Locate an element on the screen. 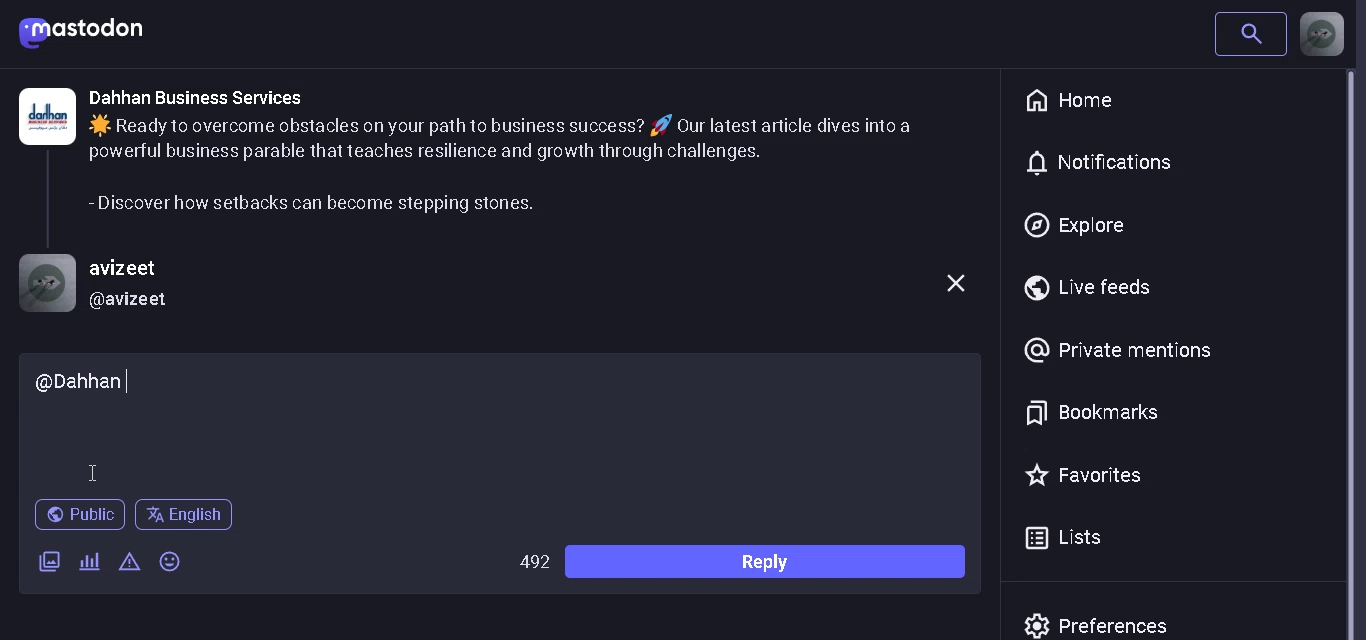 This screenshot has width=1366, height=640. lists is located at coordinates (1067, 539).